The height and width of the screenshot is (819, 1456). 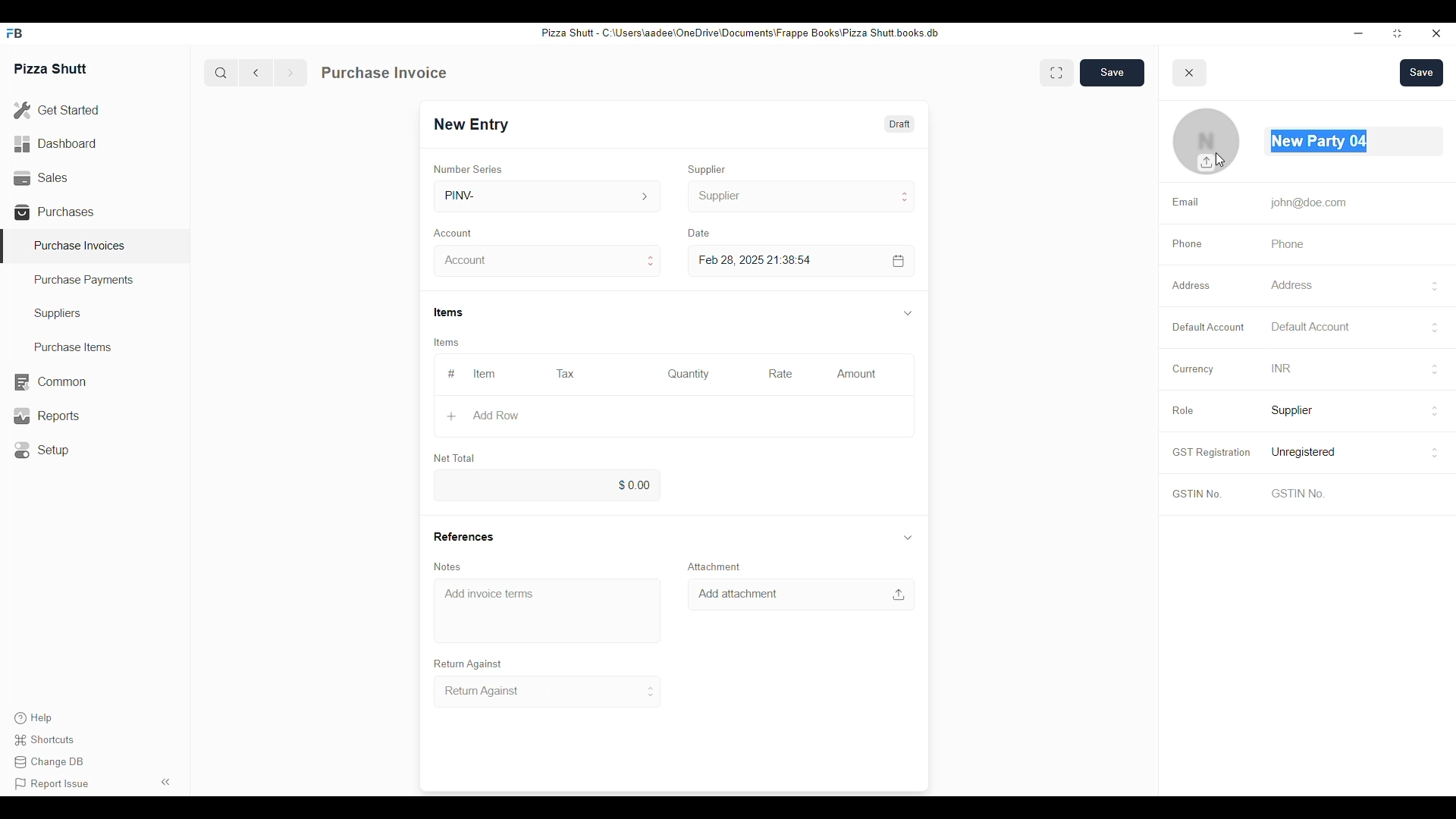 What do you see at coordinates (17, 33) in the screenshot?
I see `FB` at bounding box center [17, 33].